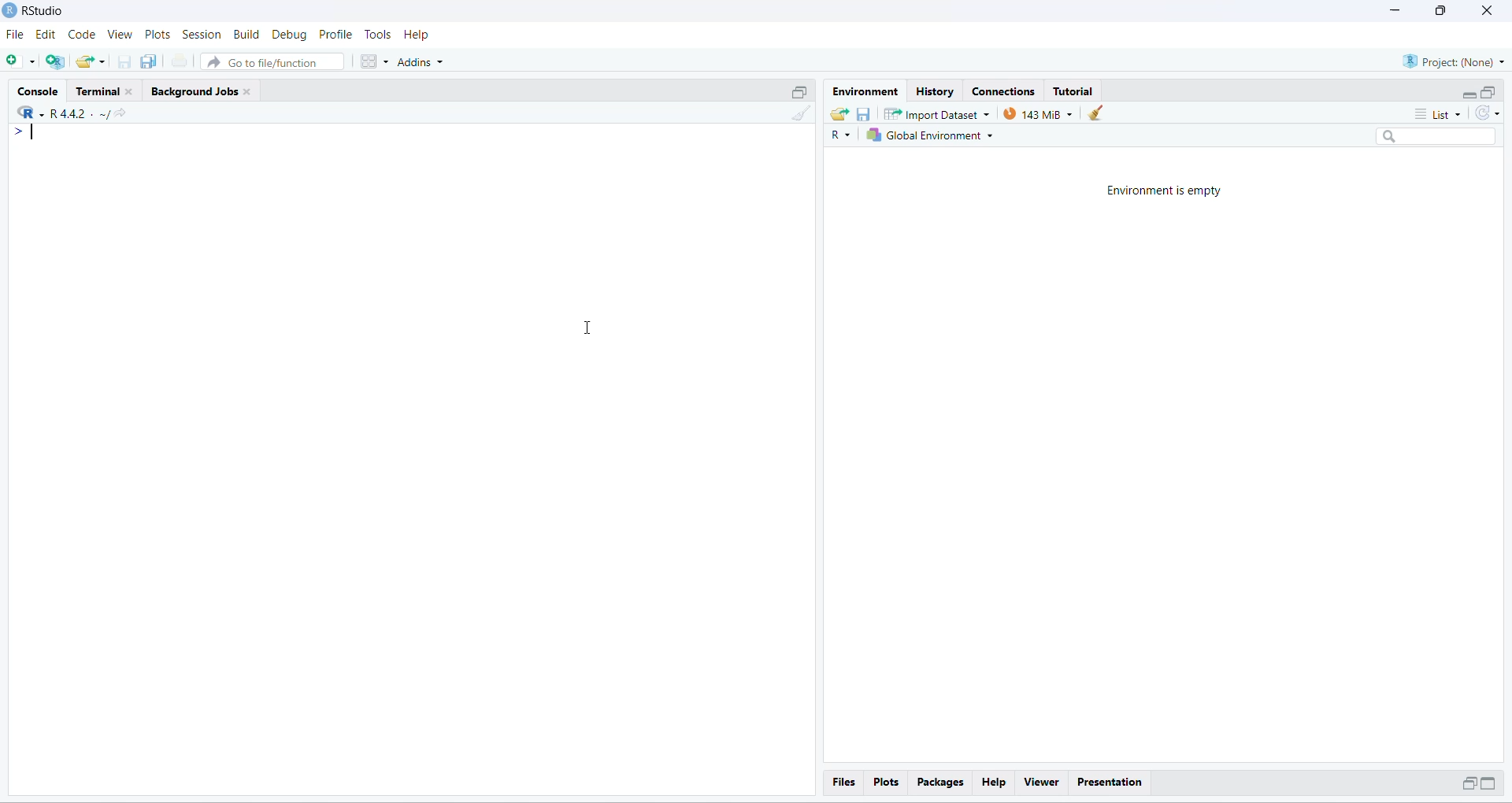  I want to click on logo, so click(9, 9).